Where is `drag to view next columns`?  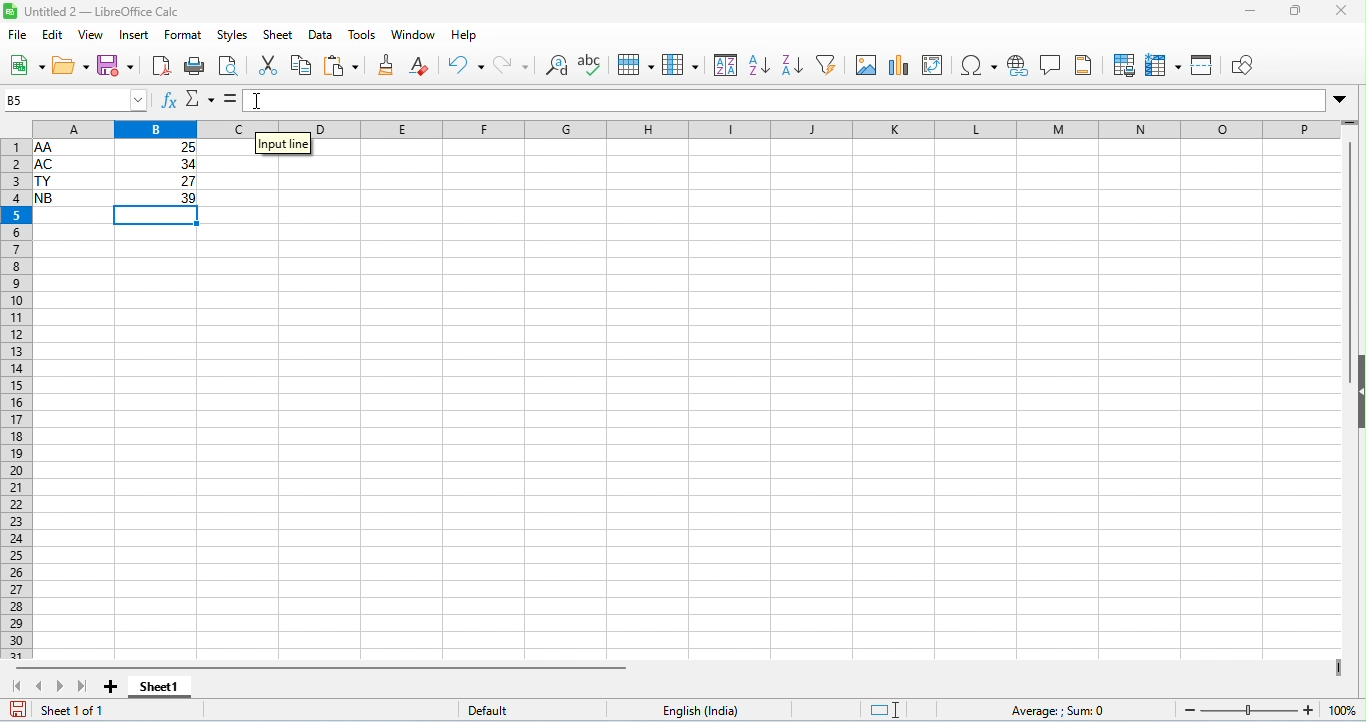
drag to view next columns is located at coordinates (1339, 667).